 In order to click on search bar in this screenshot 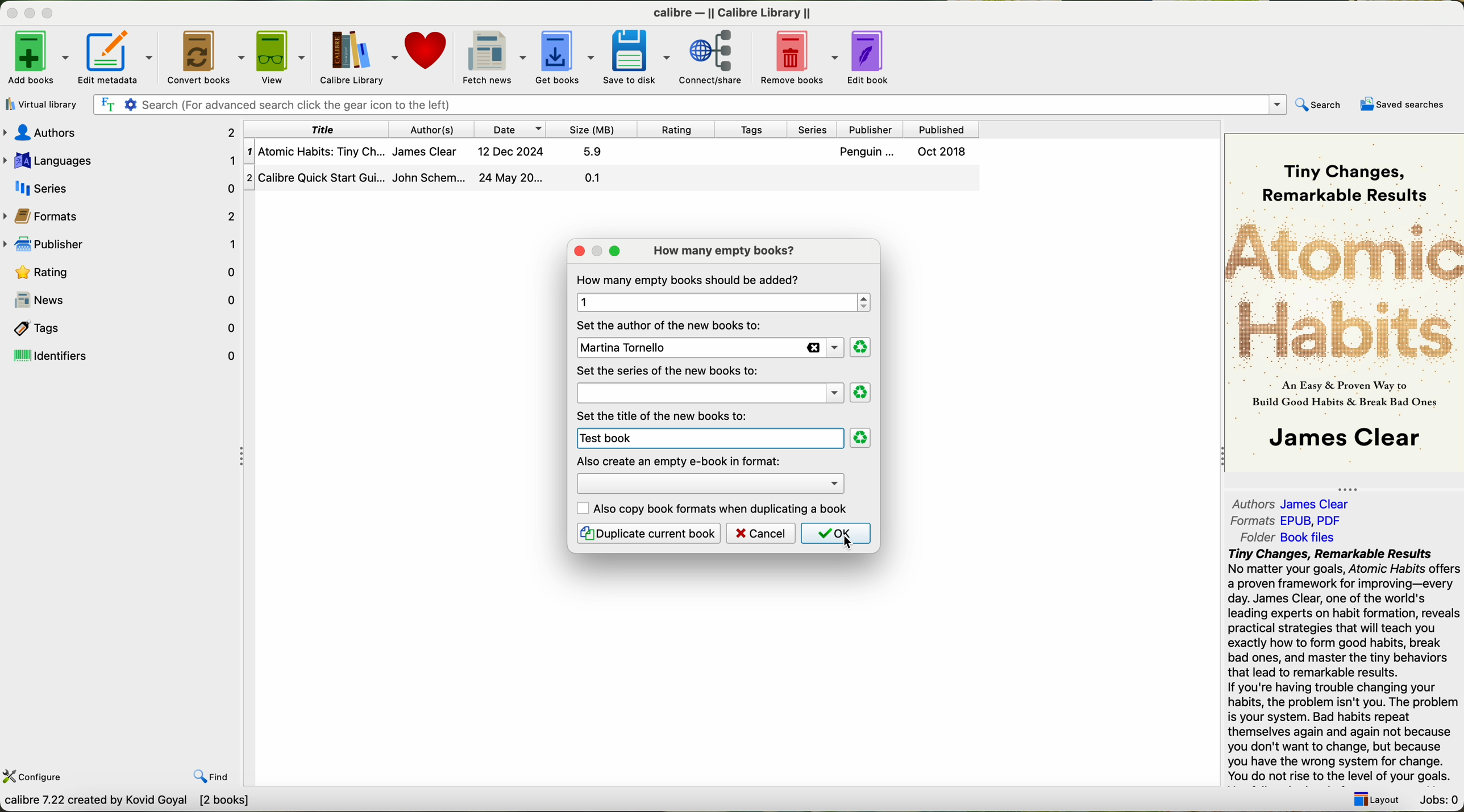, I will do `click(693, 105)`.